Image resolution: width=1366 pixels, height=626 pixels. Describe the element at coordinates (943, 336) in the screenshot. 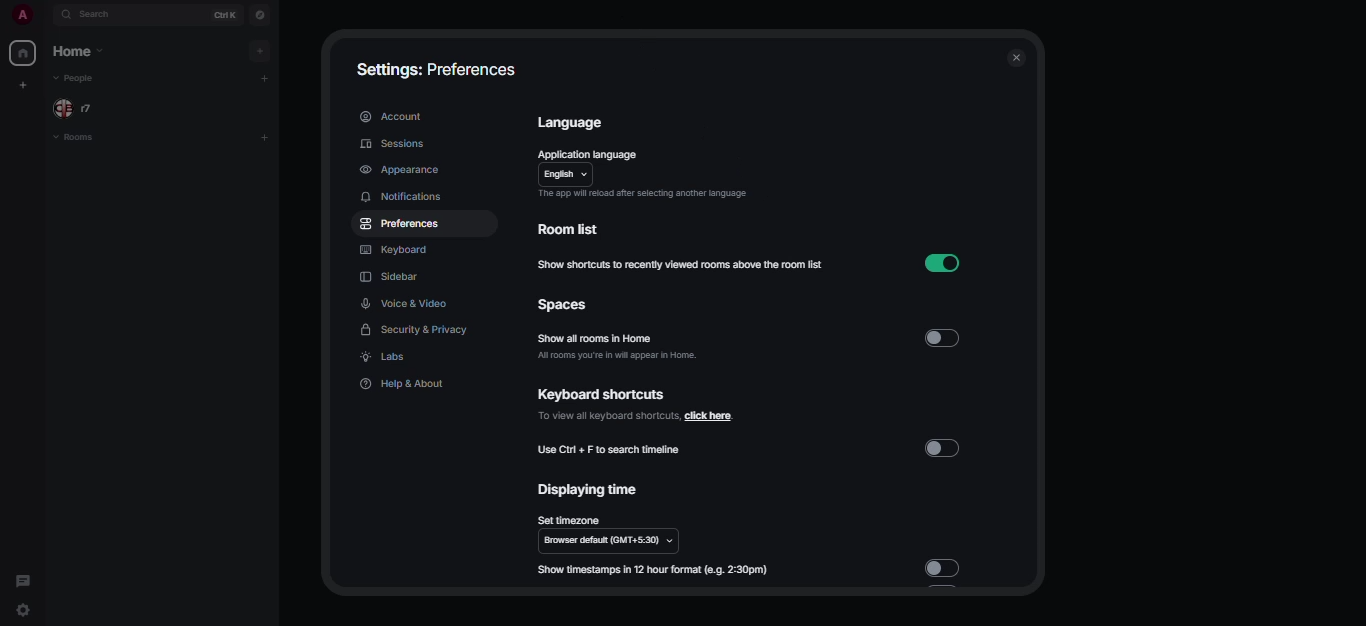

I see `disabled` at that location.